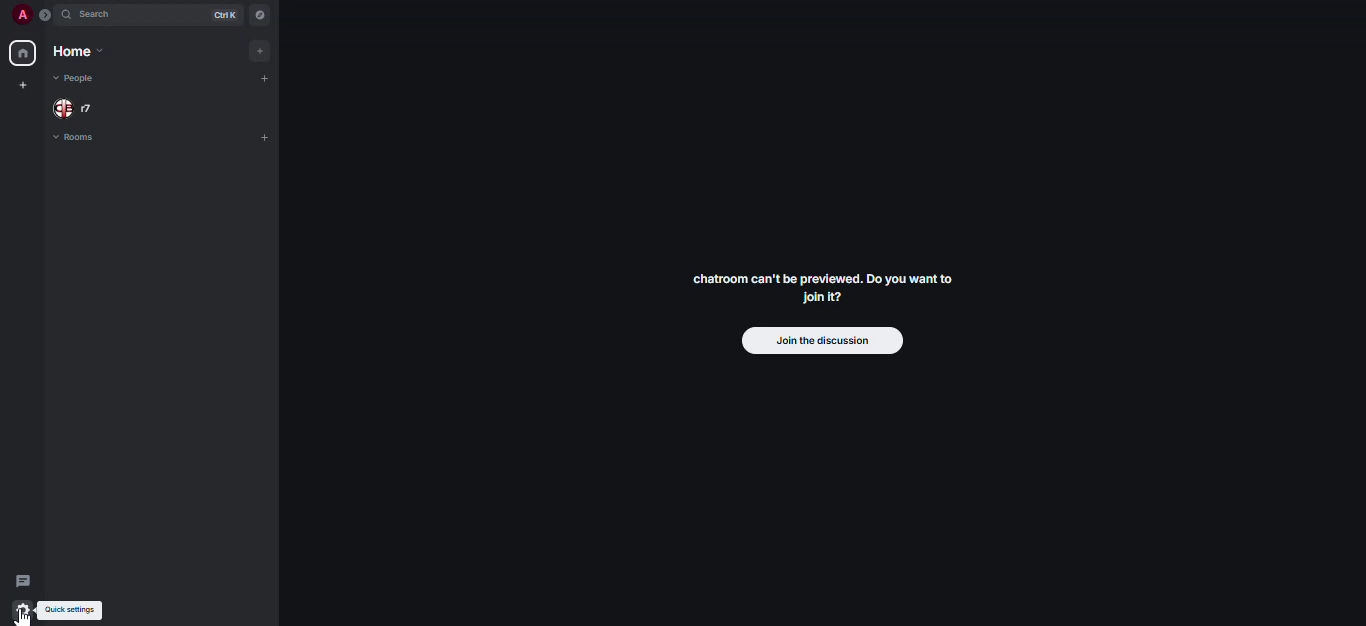 The image size is (1366, 626). Describe the element at coordinates (73, 609) in the screenshot. I see `quick settings` at that location.